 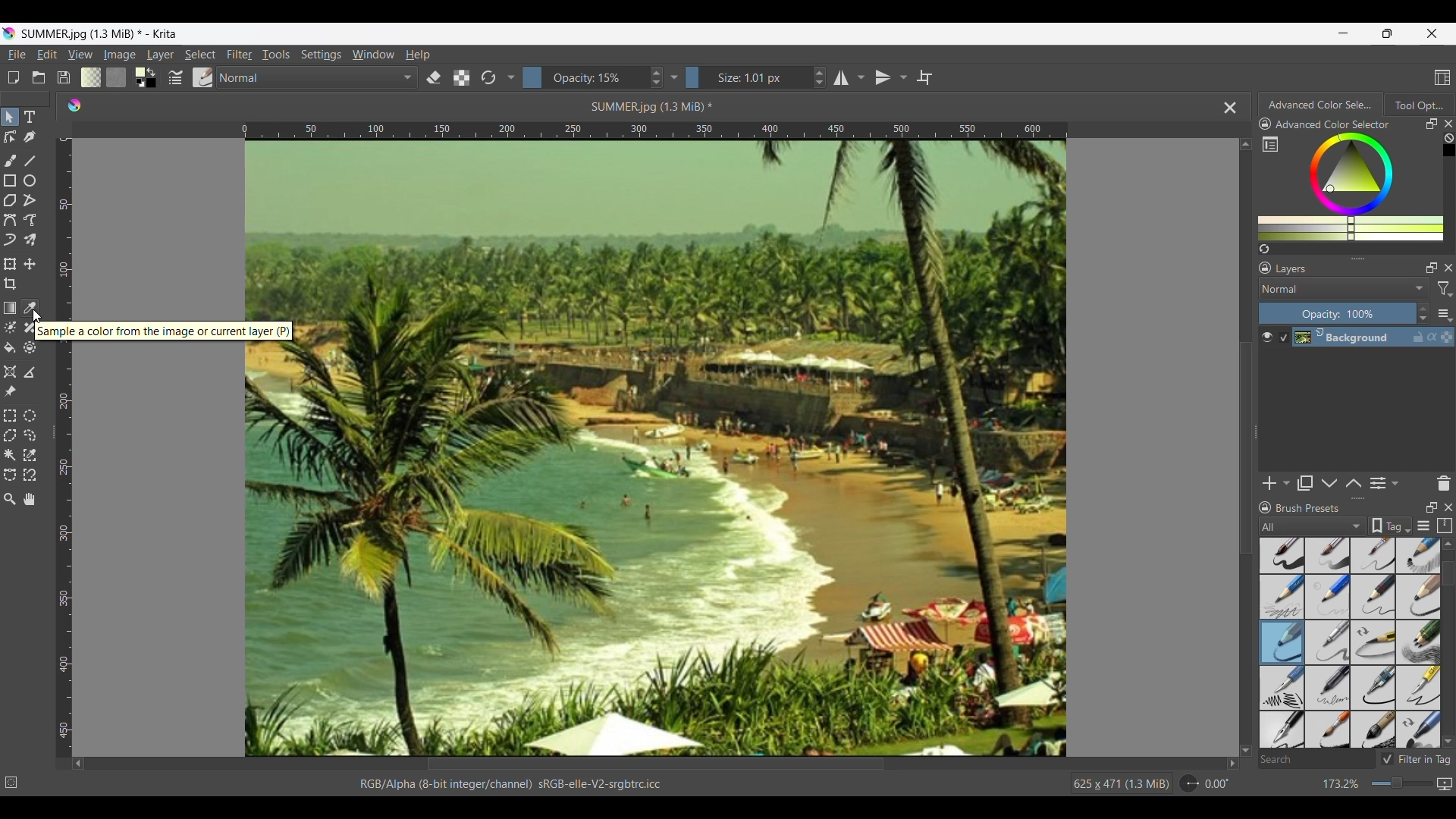 What do you see at coordinates (1255, 441) in the screenshot?
I see `Change width of panels attached to the line` at bounding box center [1255, 441].